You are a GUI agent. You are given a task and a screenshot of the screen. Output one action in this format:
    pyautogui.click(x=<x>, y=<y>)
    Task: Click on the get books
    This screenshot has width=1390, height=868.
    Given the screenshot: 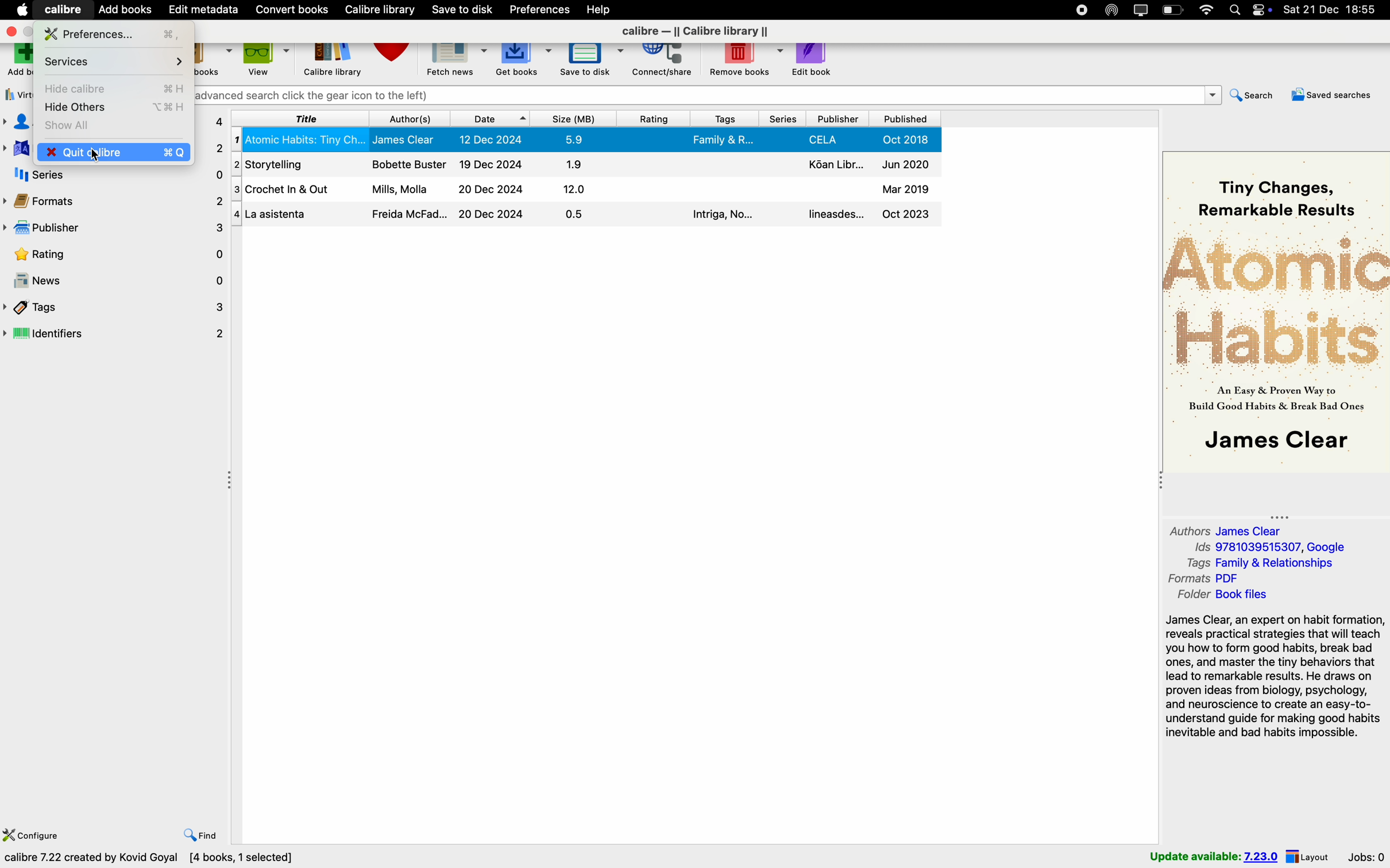 What is the action you would take?
    pyautogui.click(x=524, y=61)
    